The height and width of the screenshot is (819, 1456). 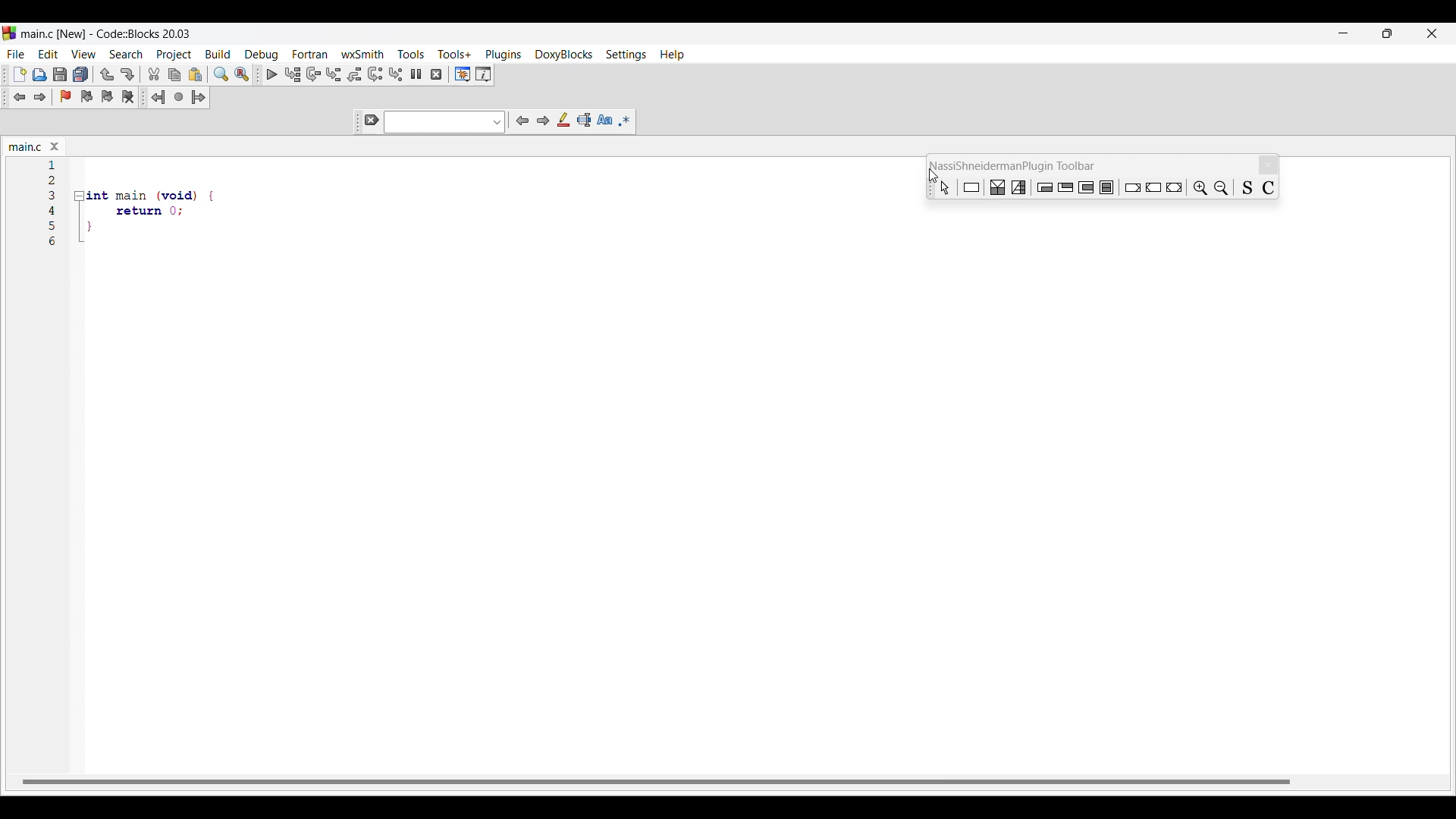 What do you see at coordinates (174, 75) in the screenshot?
I see `Copy` at bounding box center [174, 75].